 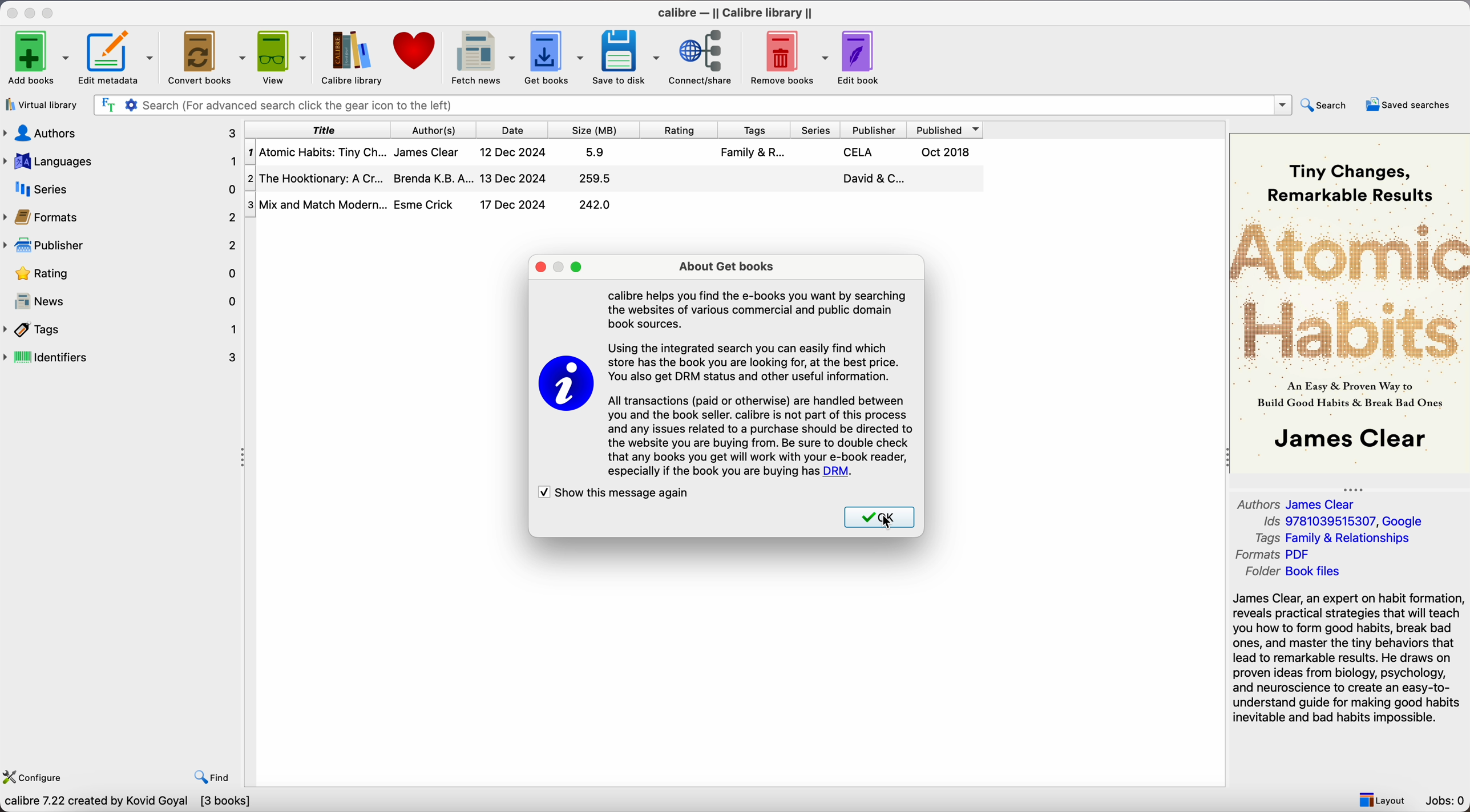 What do you see at coordinates (320, 152) in the screenshot?
I see `Atomic Habits: Tiny Ch...` at bounding box center [320, 152].